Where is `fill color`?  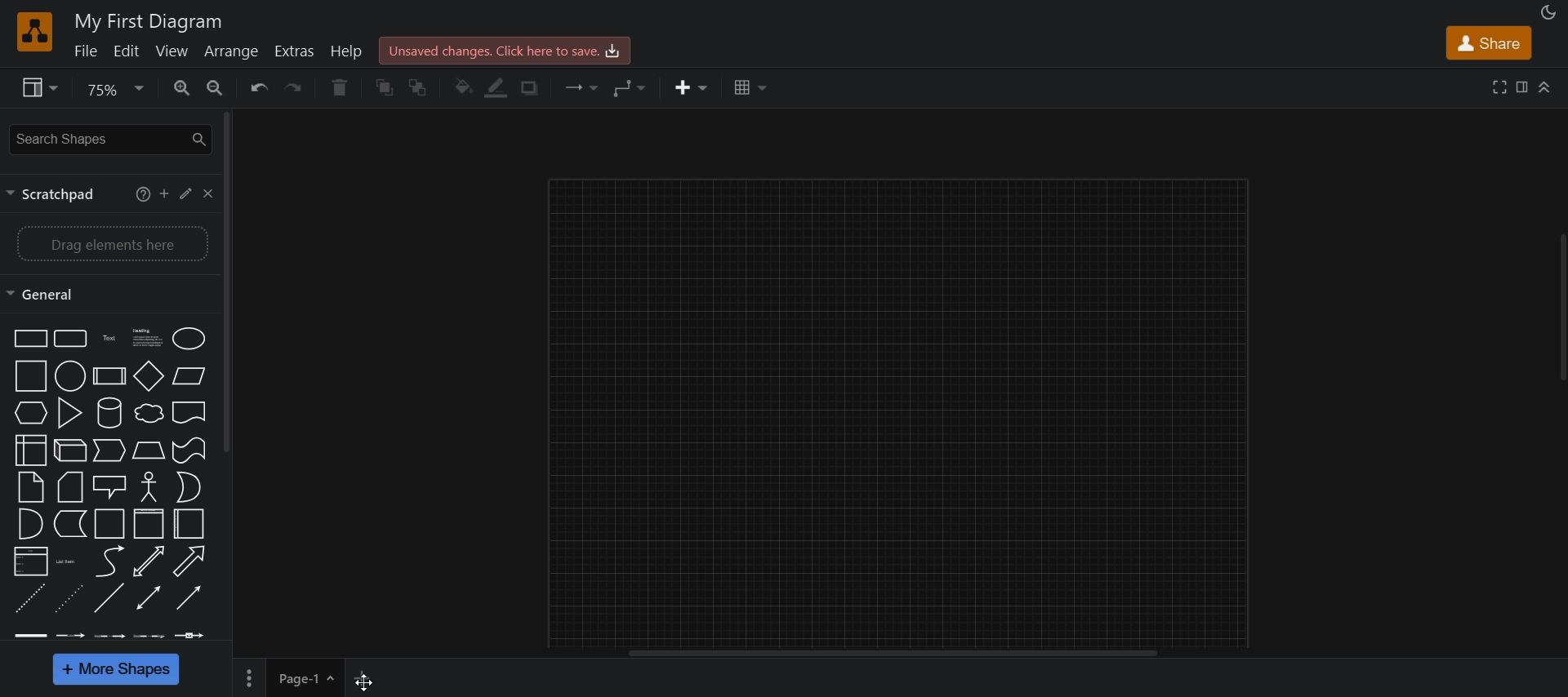 fill color is located at coordinates (501, 89).